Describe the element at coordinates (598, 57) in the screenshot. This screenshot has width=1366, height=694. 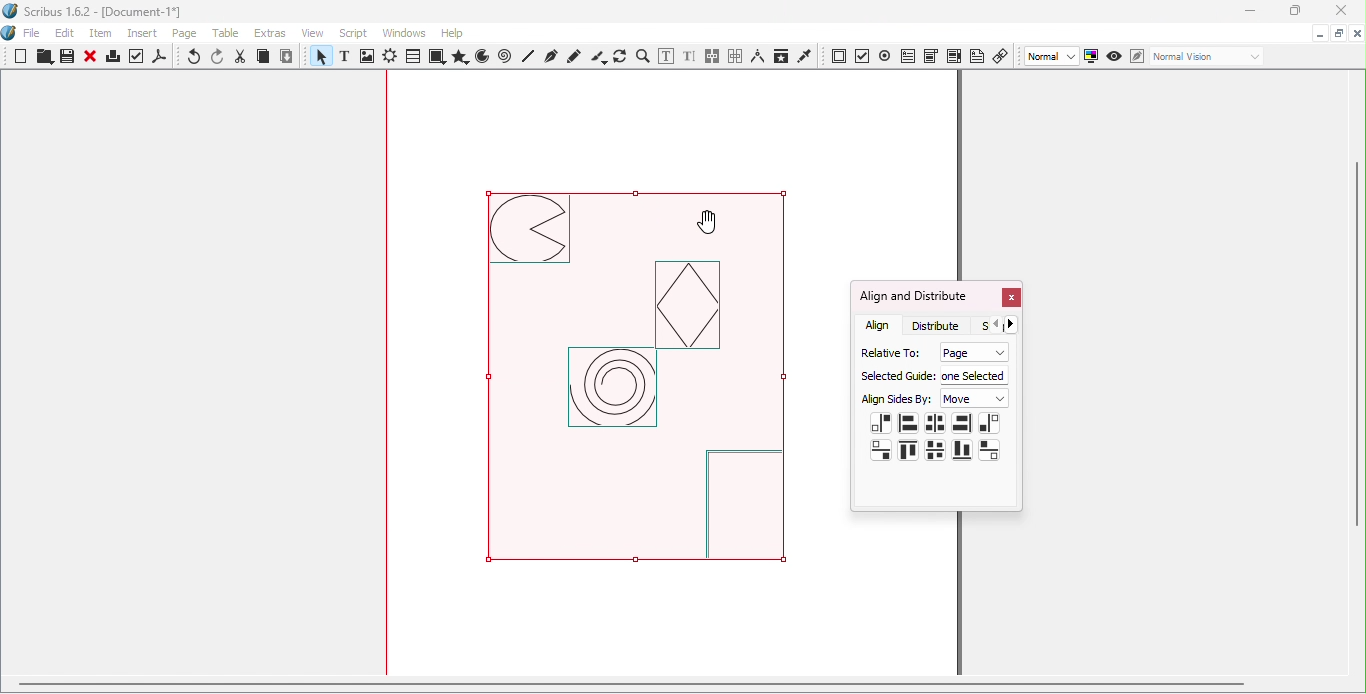
I see `Calligraphic line` at that location.